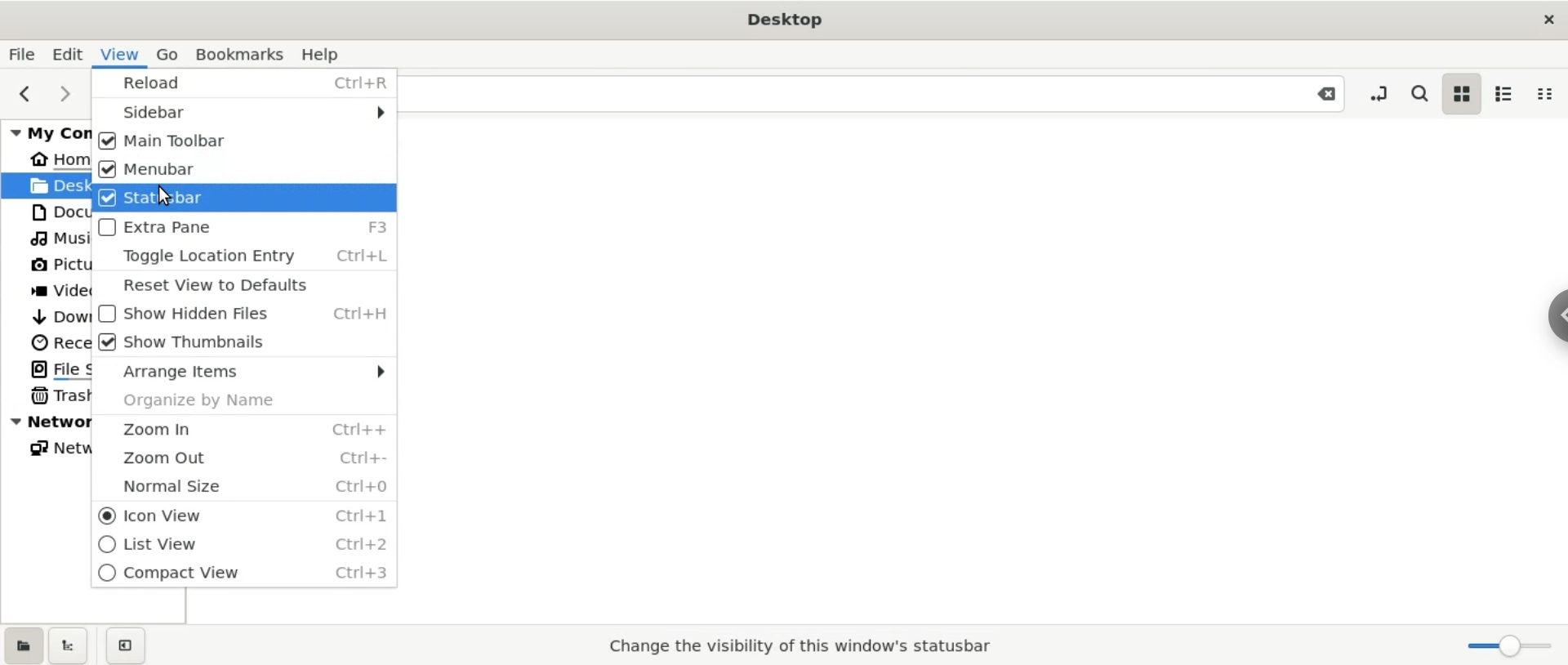 The width and height of the screenshot is (1568, 665). I want to click on close sidebar, so click(137, 647).